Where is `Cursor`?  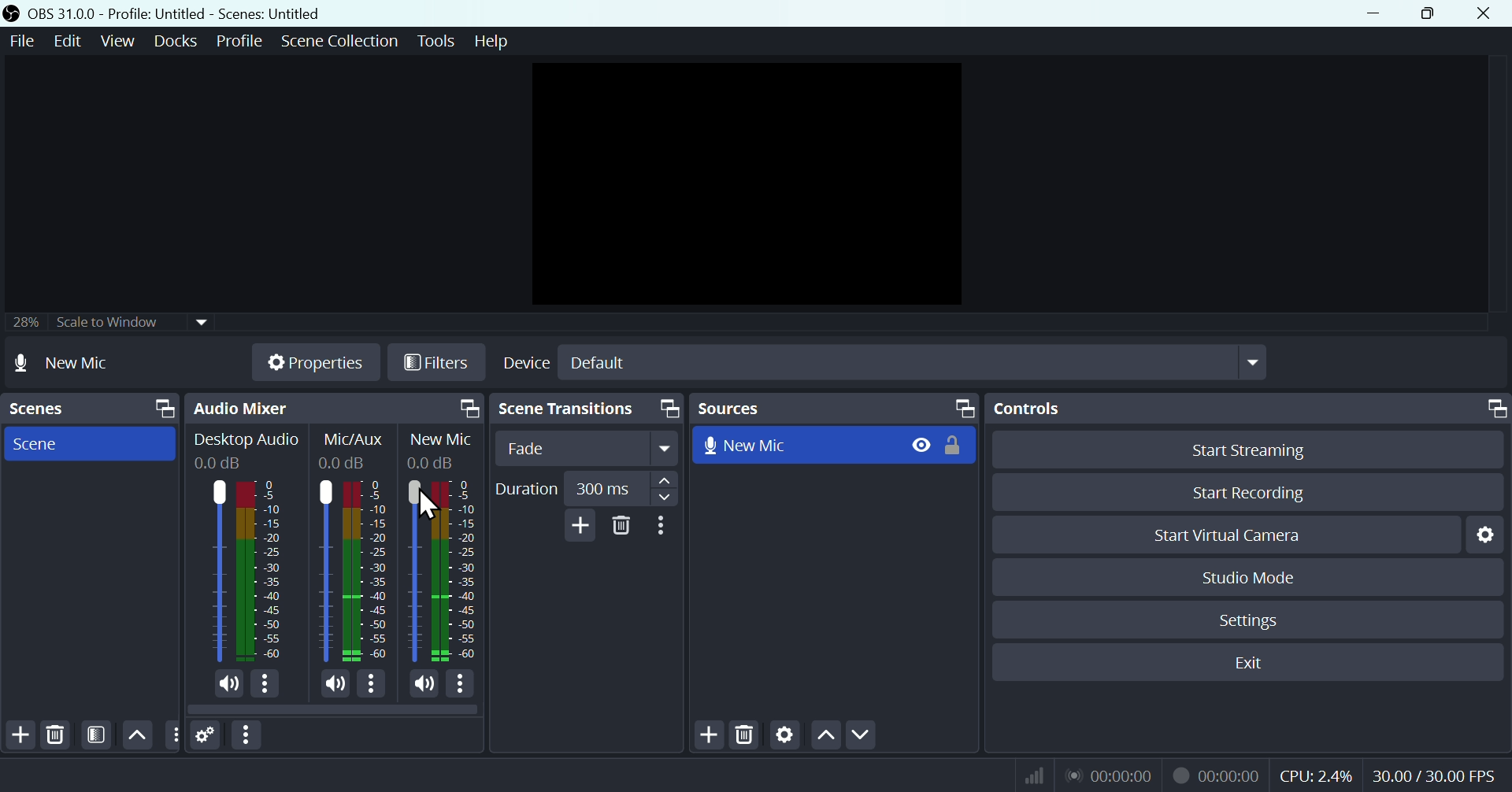
Cursor is located at coordinates (431, 505).